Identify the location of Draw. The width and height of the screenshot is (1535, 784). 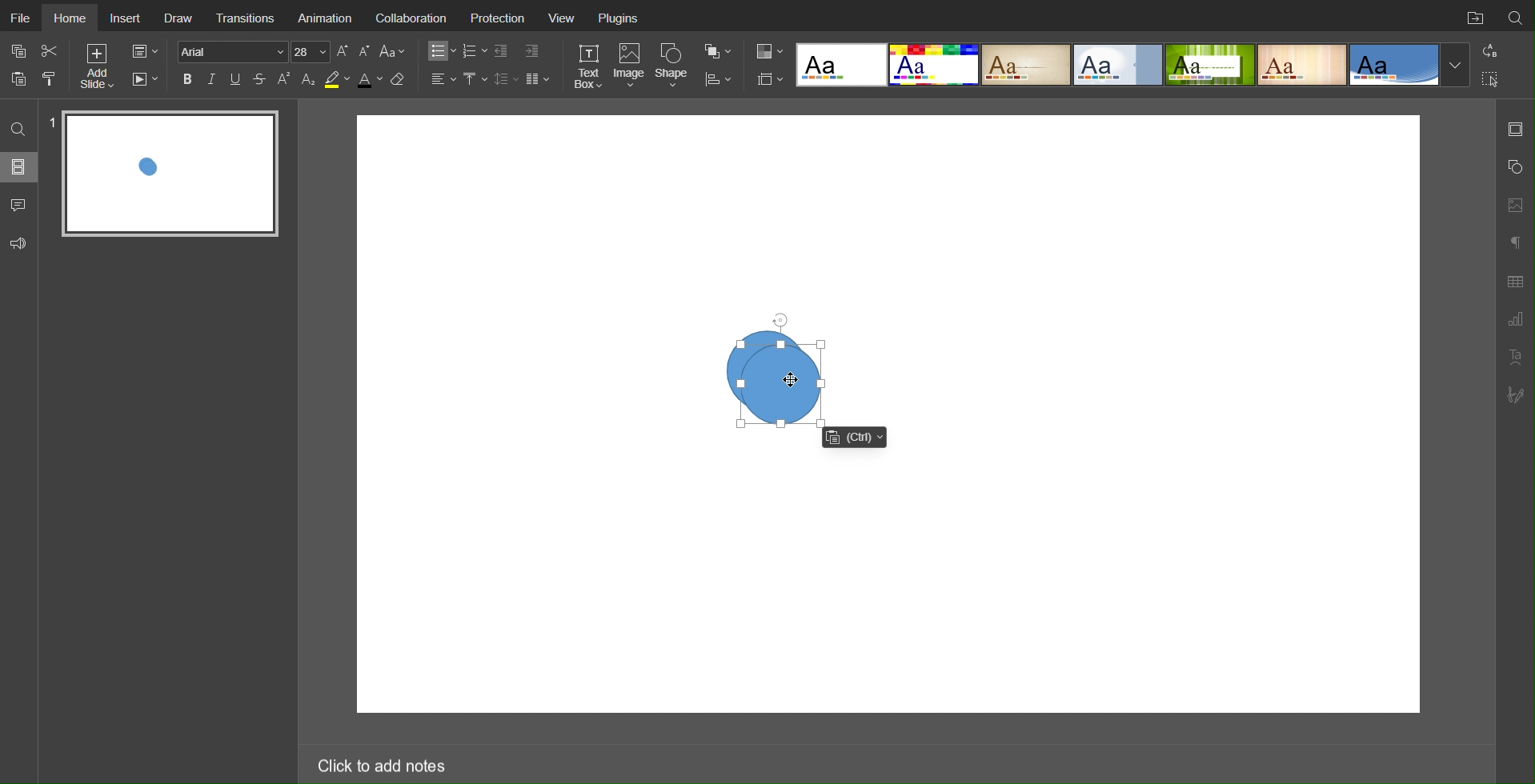
(180, 16).